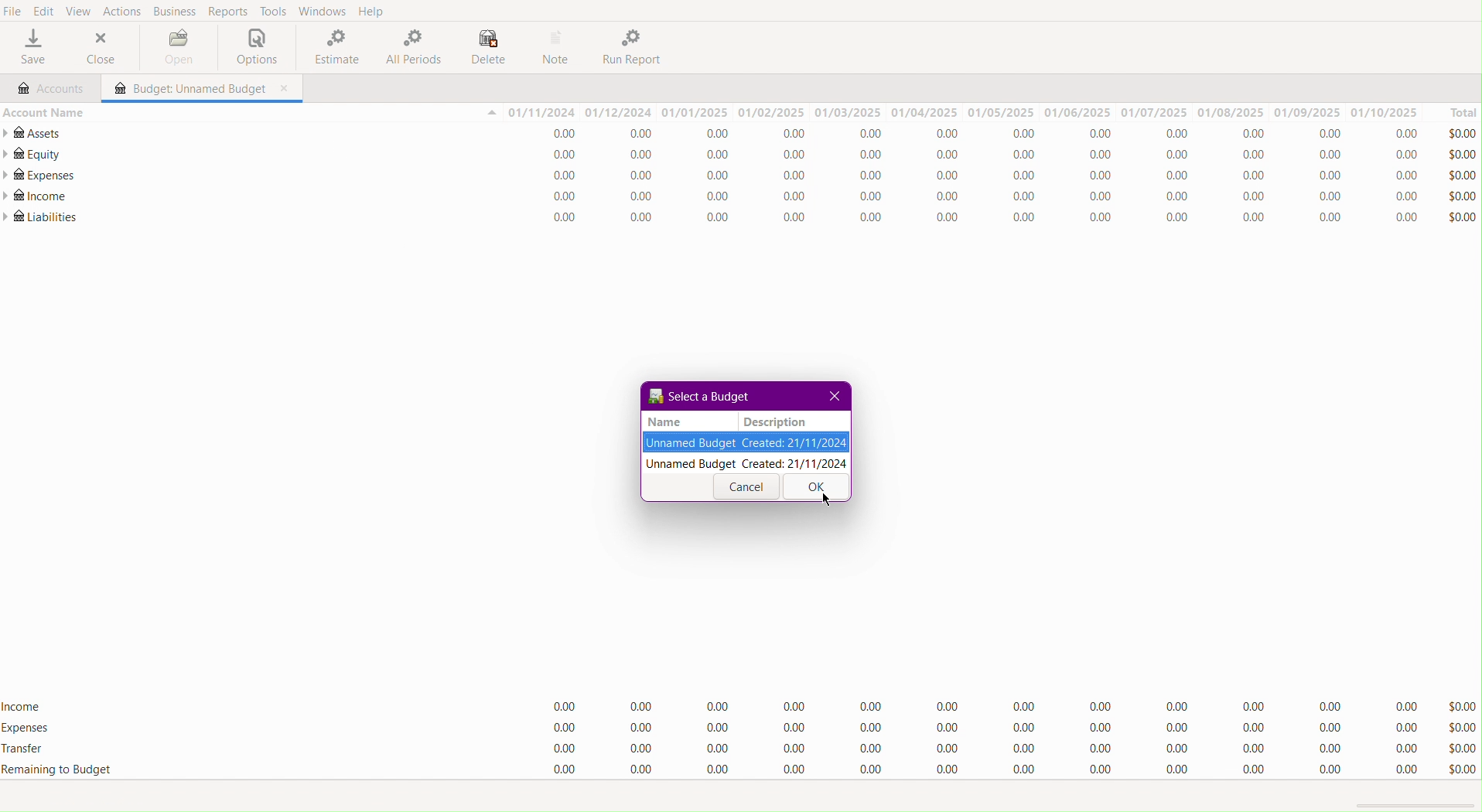 The width and height of the screenshot is (1482, 812). What do you see at coordinates (84, 12) in the screenshot?
I see `View` at bounding box center [84, 12].